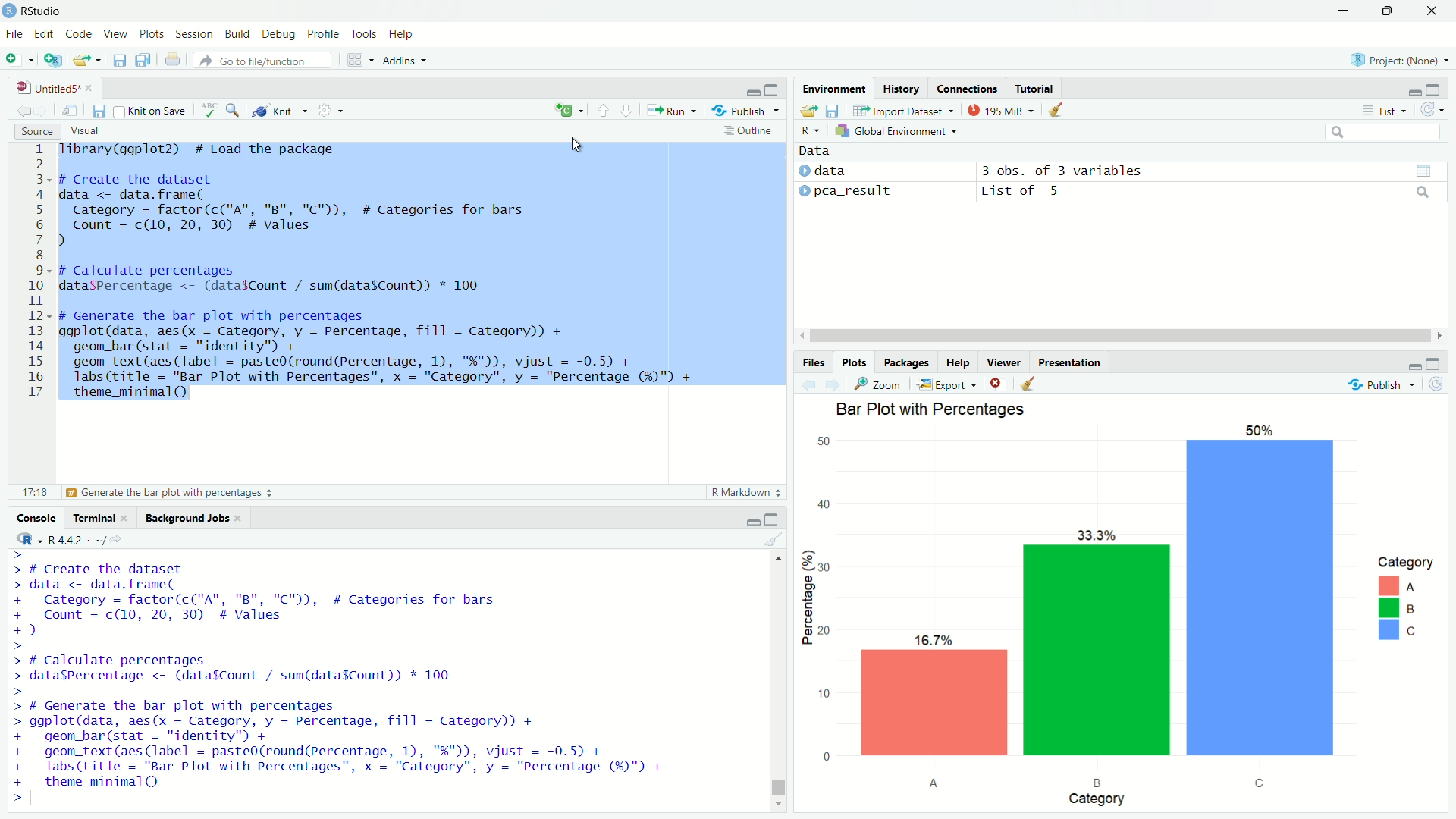  I want to click on go forward, so click(833, 385).